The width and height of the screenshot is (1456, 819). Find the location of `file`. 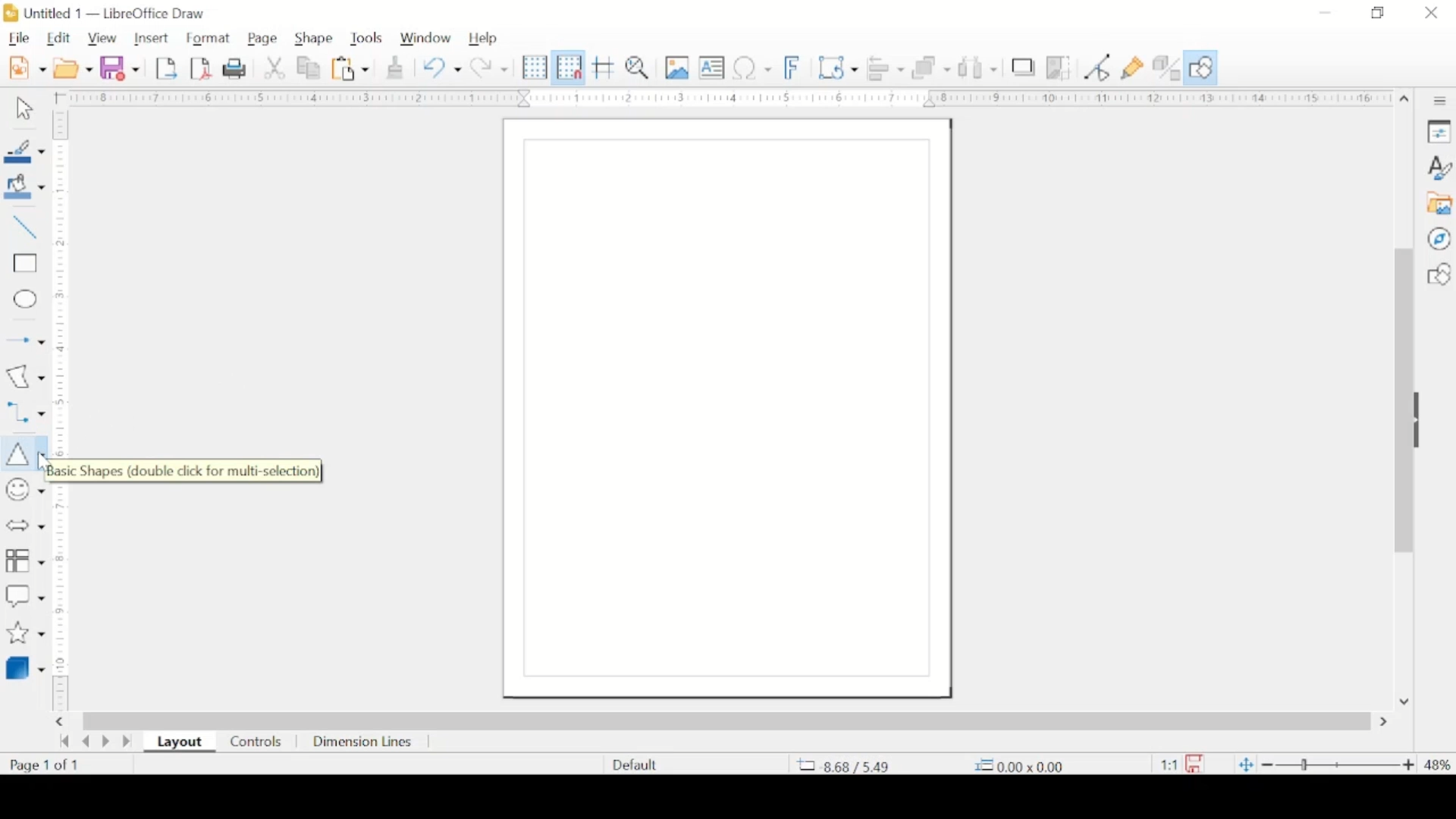

file is located at coordinates (19, 37).